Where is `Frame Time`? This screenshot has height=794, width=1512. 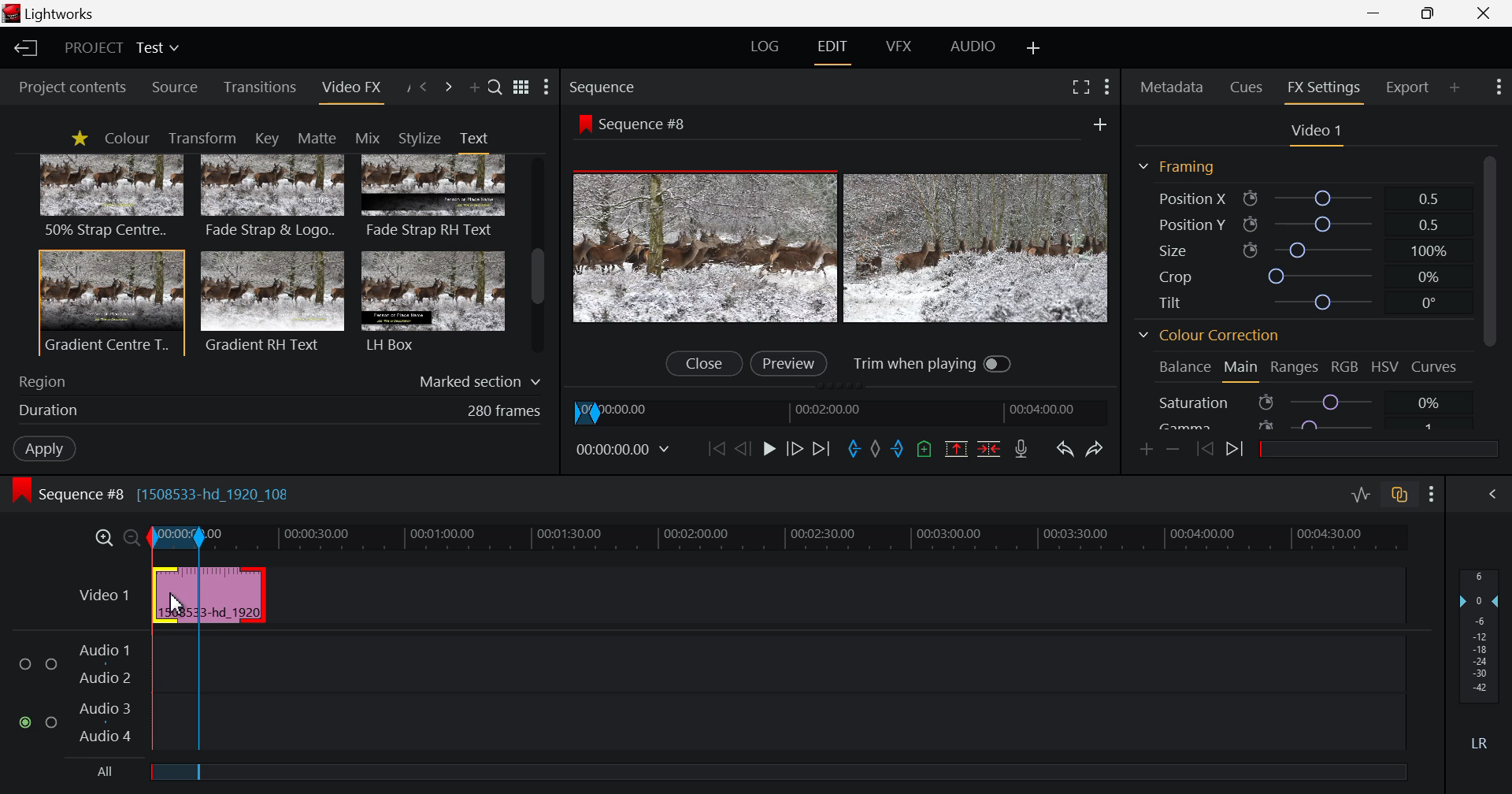 Frame Time is located at coordinates (627, 450).